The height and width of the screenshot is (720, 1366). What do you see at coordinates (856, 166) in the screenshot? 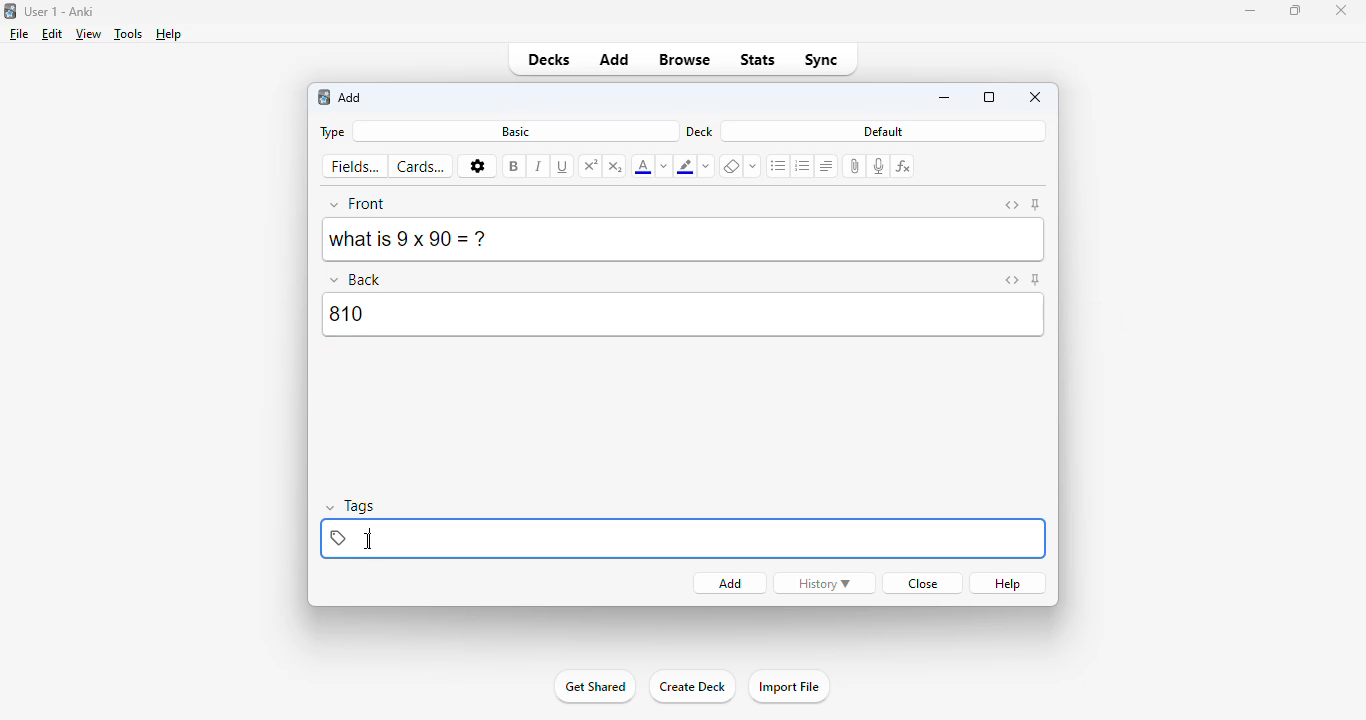
I see `attach pictures/audio/video` at bounding box center [856, 166].